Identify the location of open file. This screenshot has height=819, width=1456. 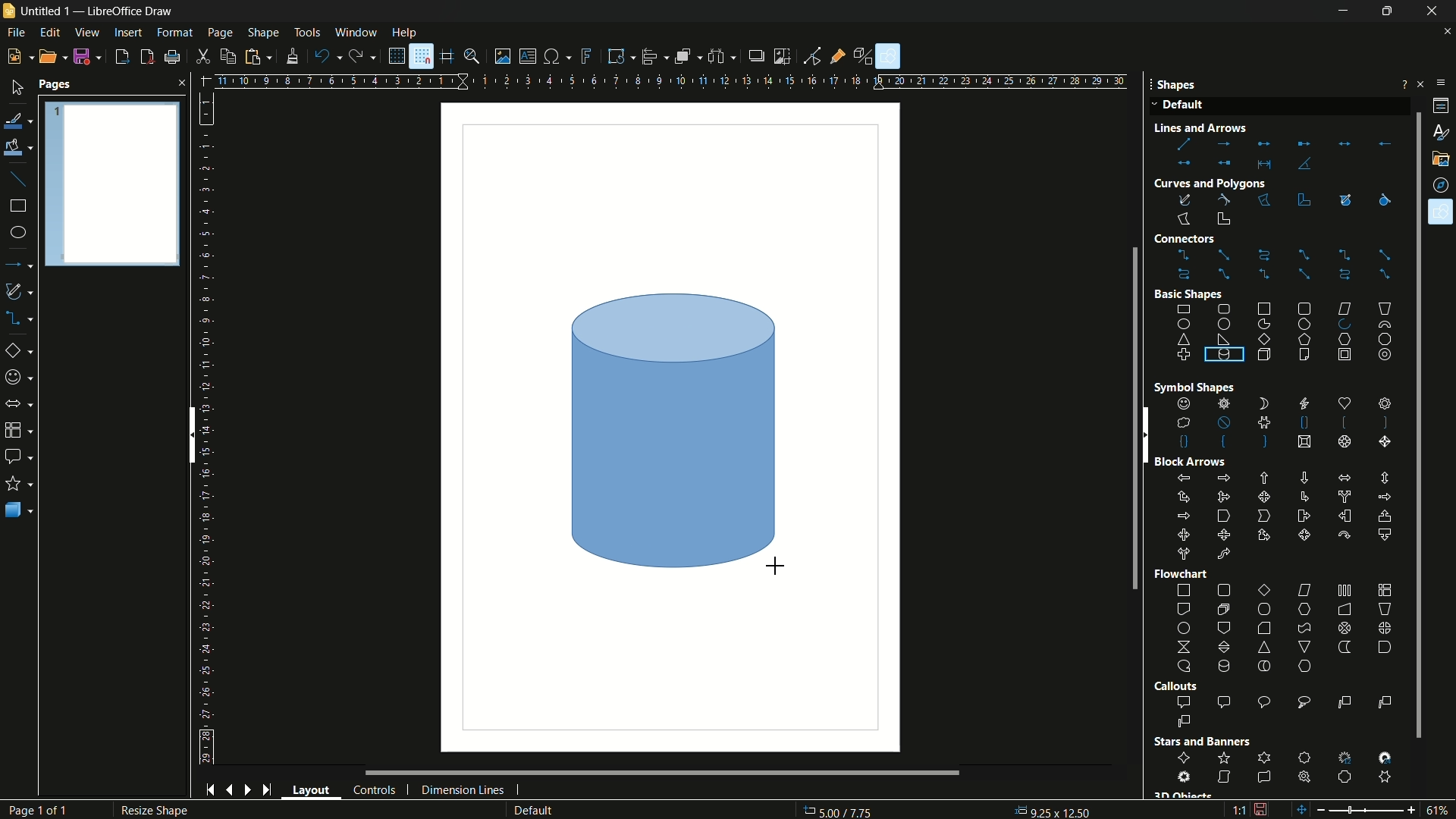
(51, 56).